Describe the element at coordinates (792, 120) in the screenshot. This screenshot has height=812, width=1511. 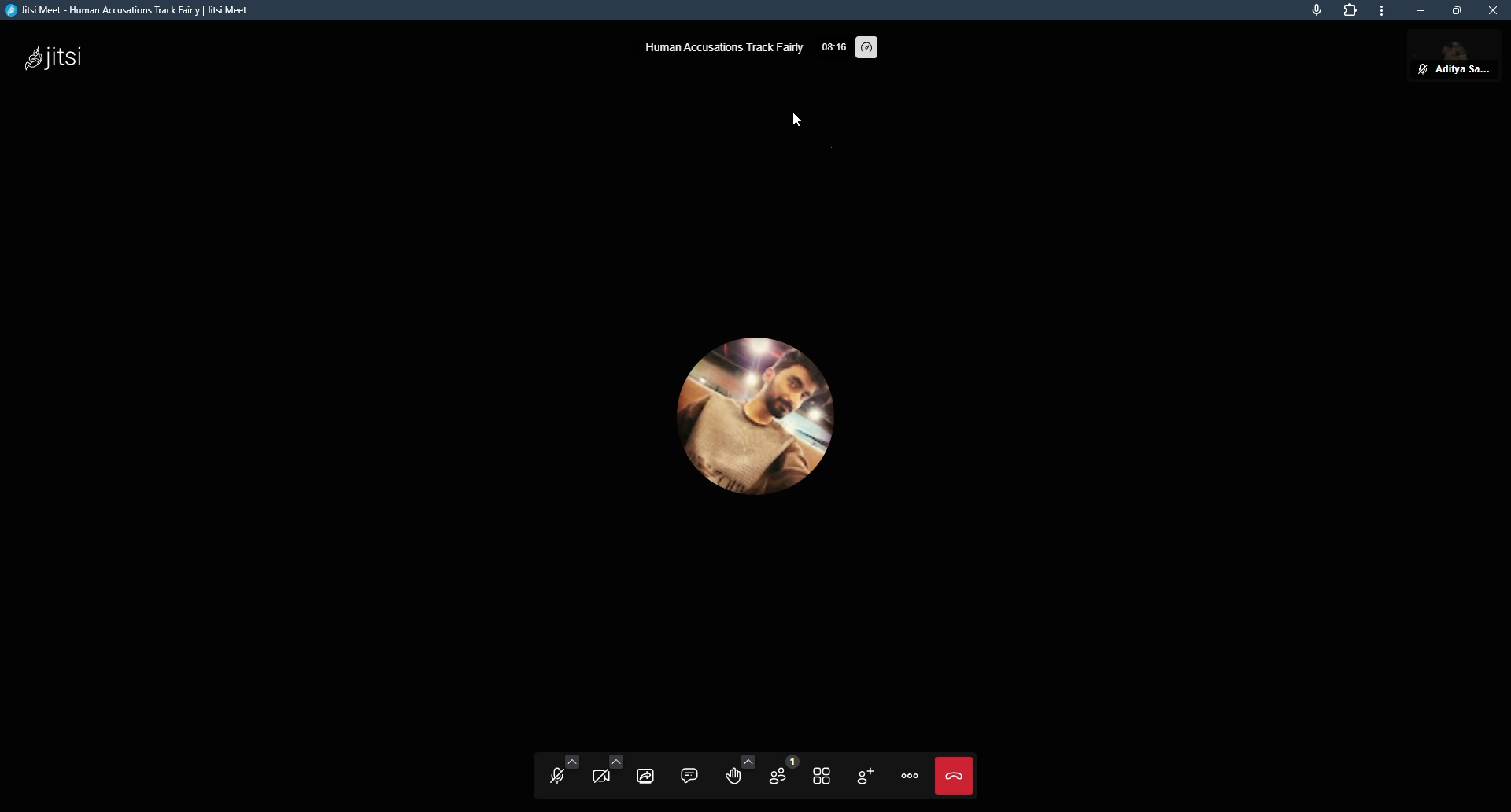
I see `cursor` at that location.